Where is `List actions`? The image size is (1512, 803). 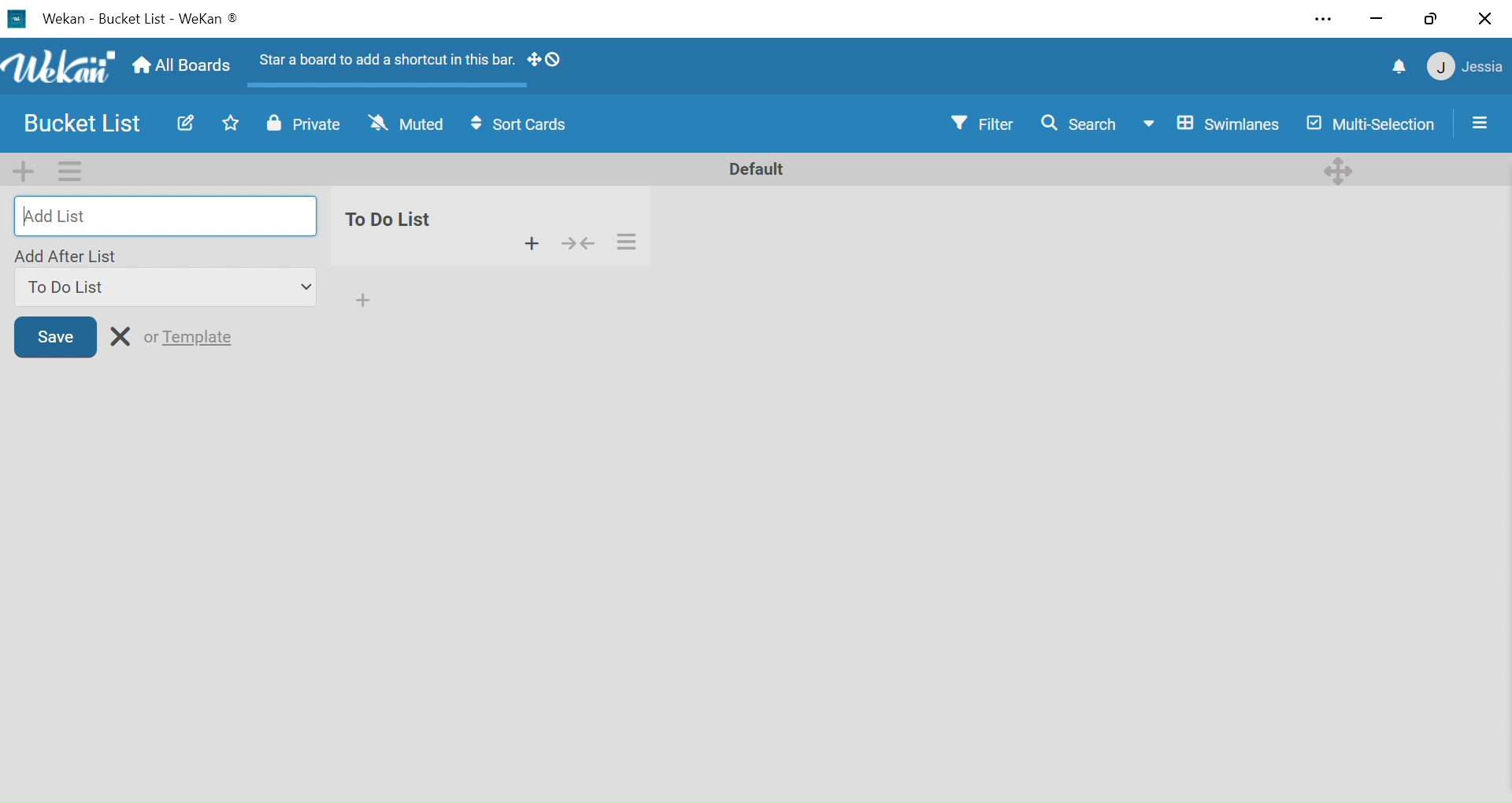 List actions is located at coordinates (626, 242).